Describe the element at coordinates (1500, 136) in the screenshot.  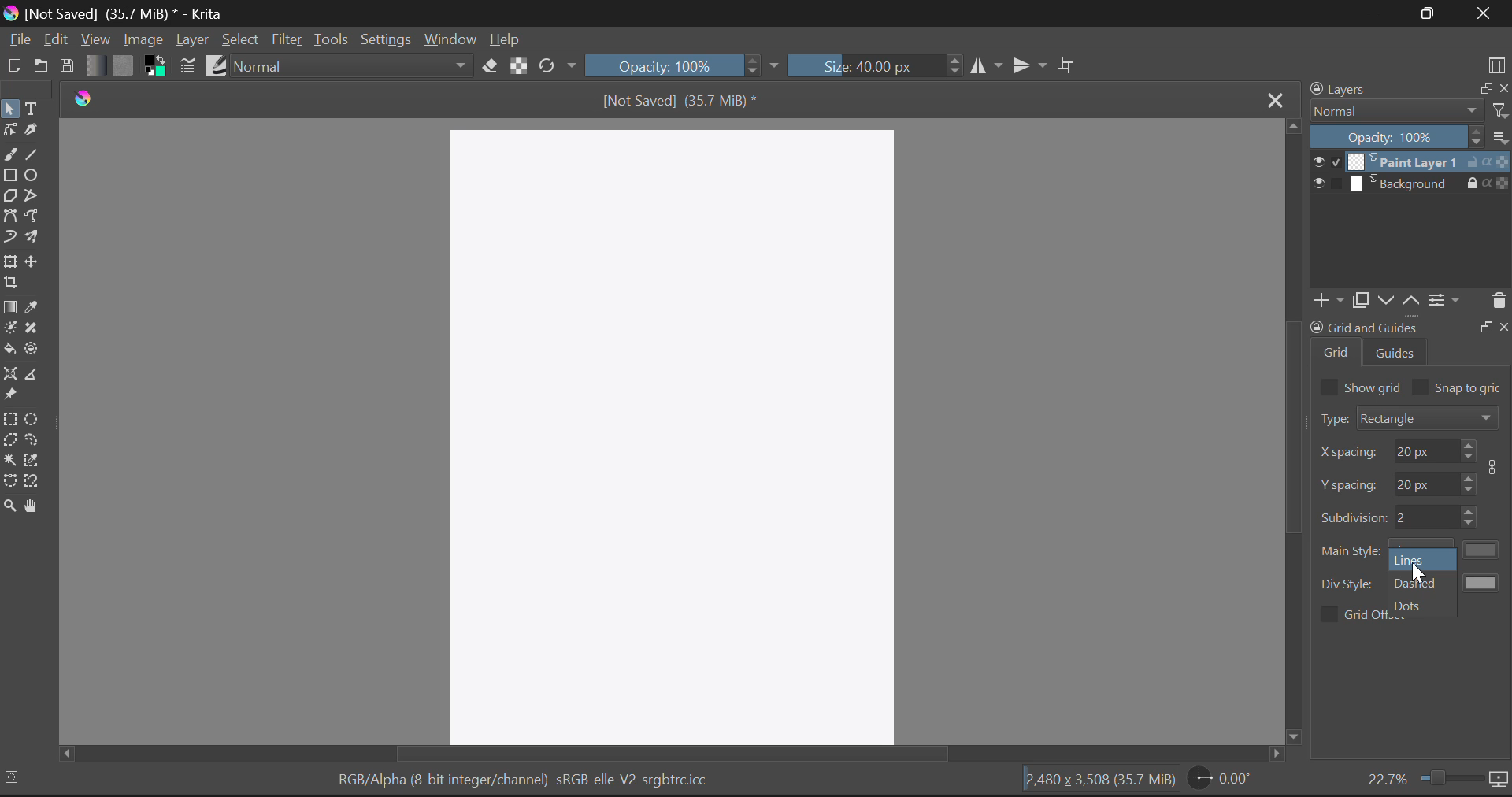
I see `more` at that location.